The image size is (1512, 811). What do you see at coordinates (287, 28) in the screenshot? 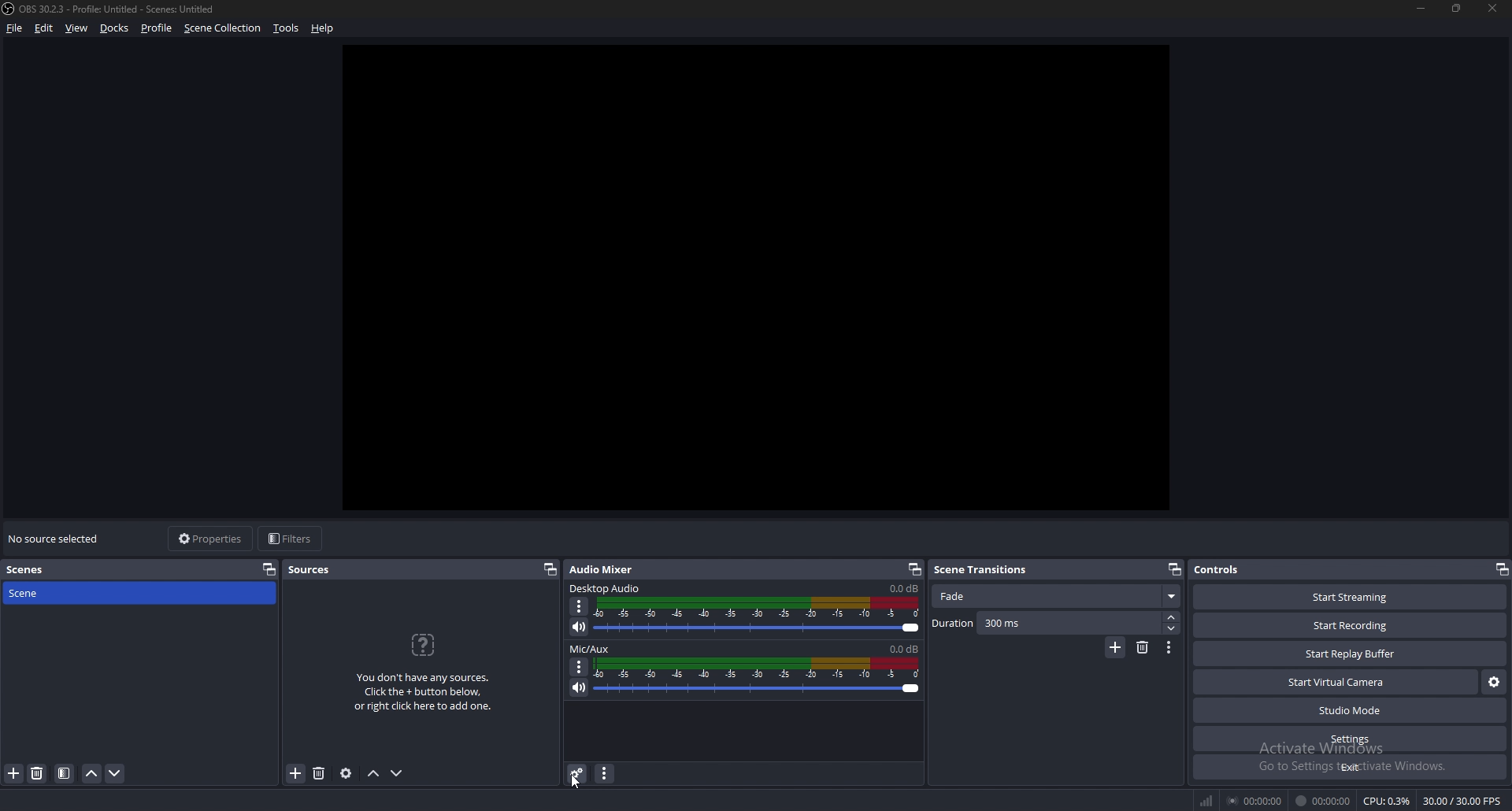
I see `tools` at bounding box center [287, 28].